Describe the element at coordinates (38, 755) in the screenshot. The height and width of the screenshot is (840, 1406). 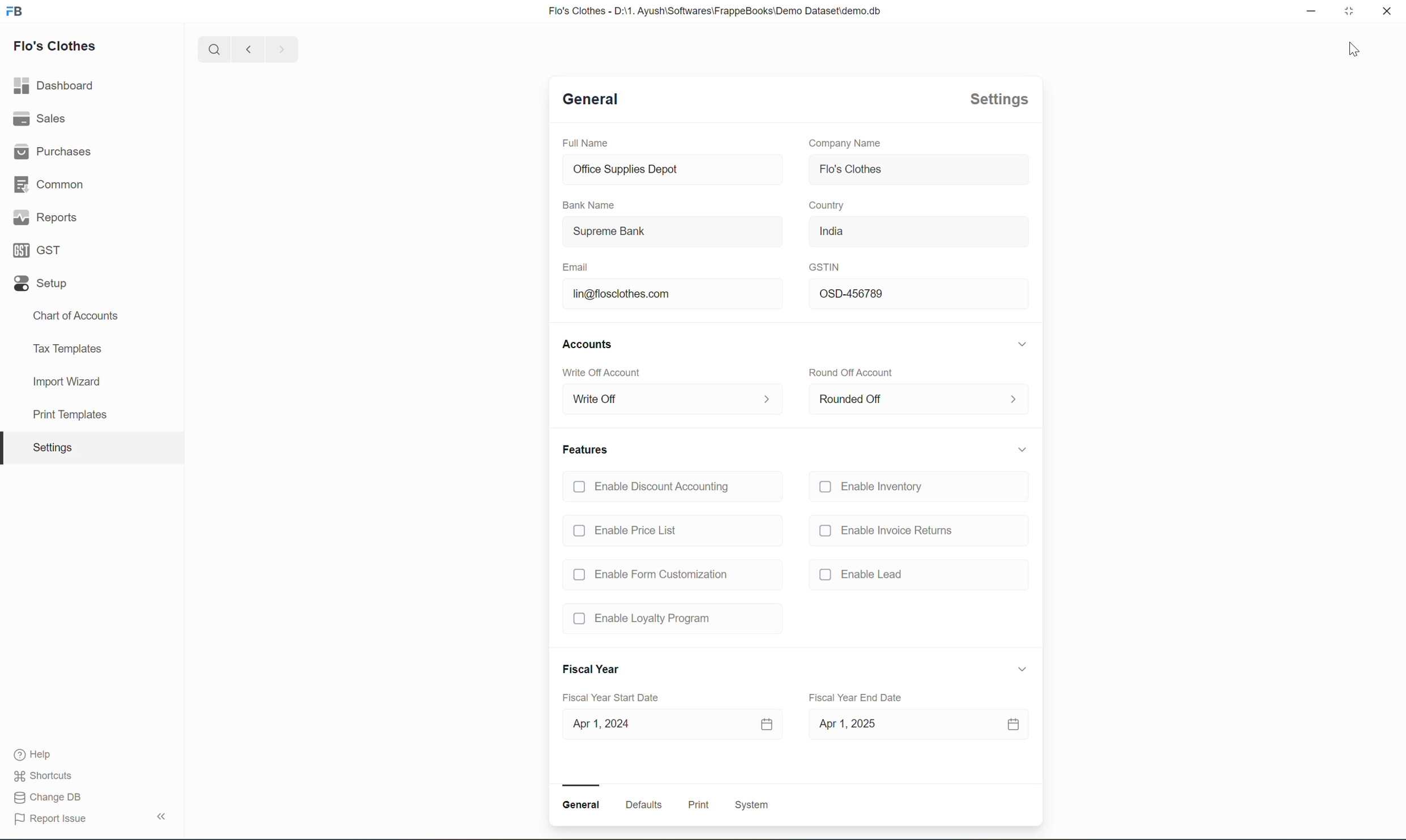
I see `Help` at that location.